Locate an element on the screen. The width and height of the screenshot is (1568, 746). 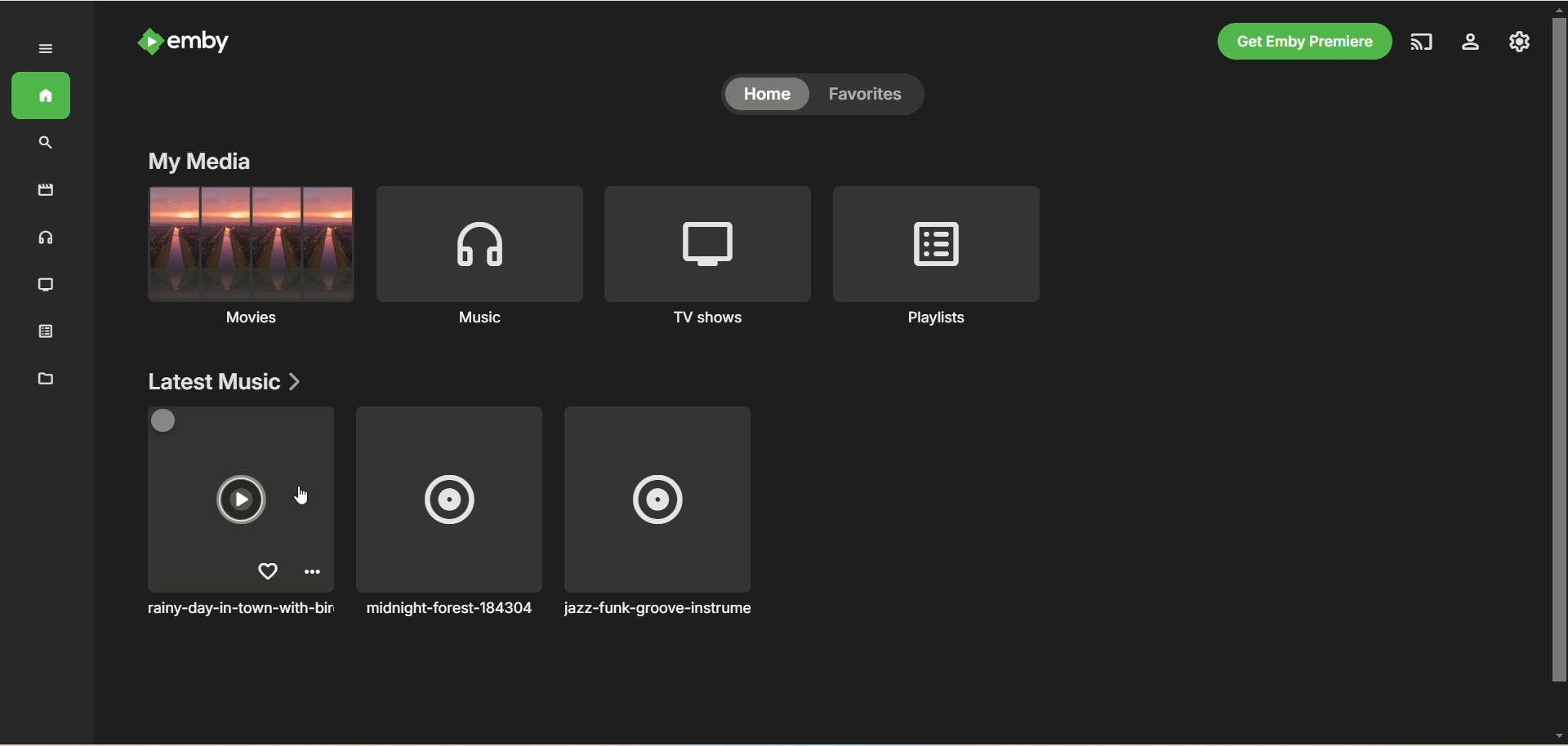
get emby premiere is located at coordinates (1305, 42).